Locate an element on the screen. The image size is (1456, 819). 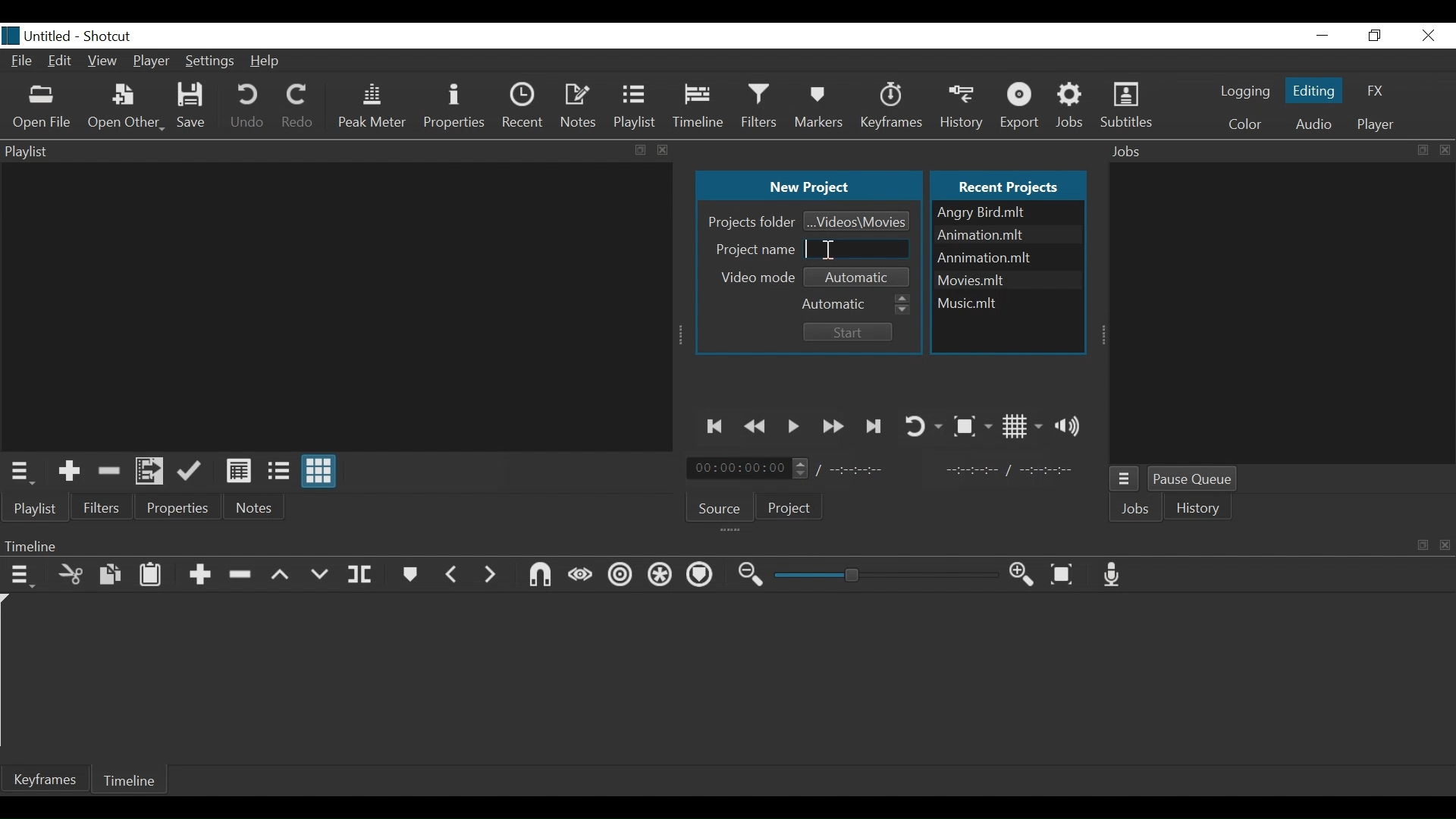
Next Marker is located at coordinates (491, 573).